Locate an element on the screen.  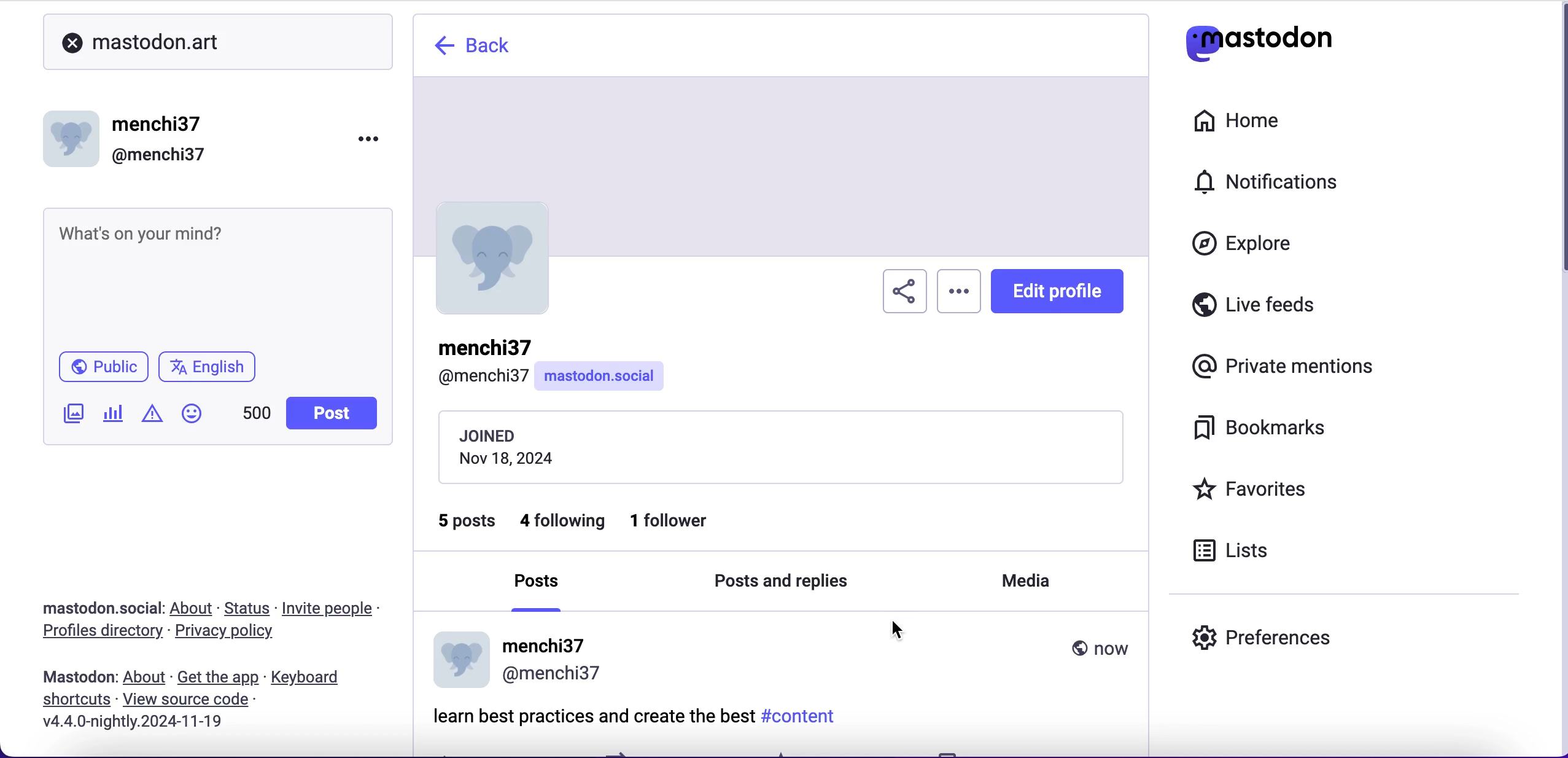
mastodon.social is located at coordinates (610, 376).